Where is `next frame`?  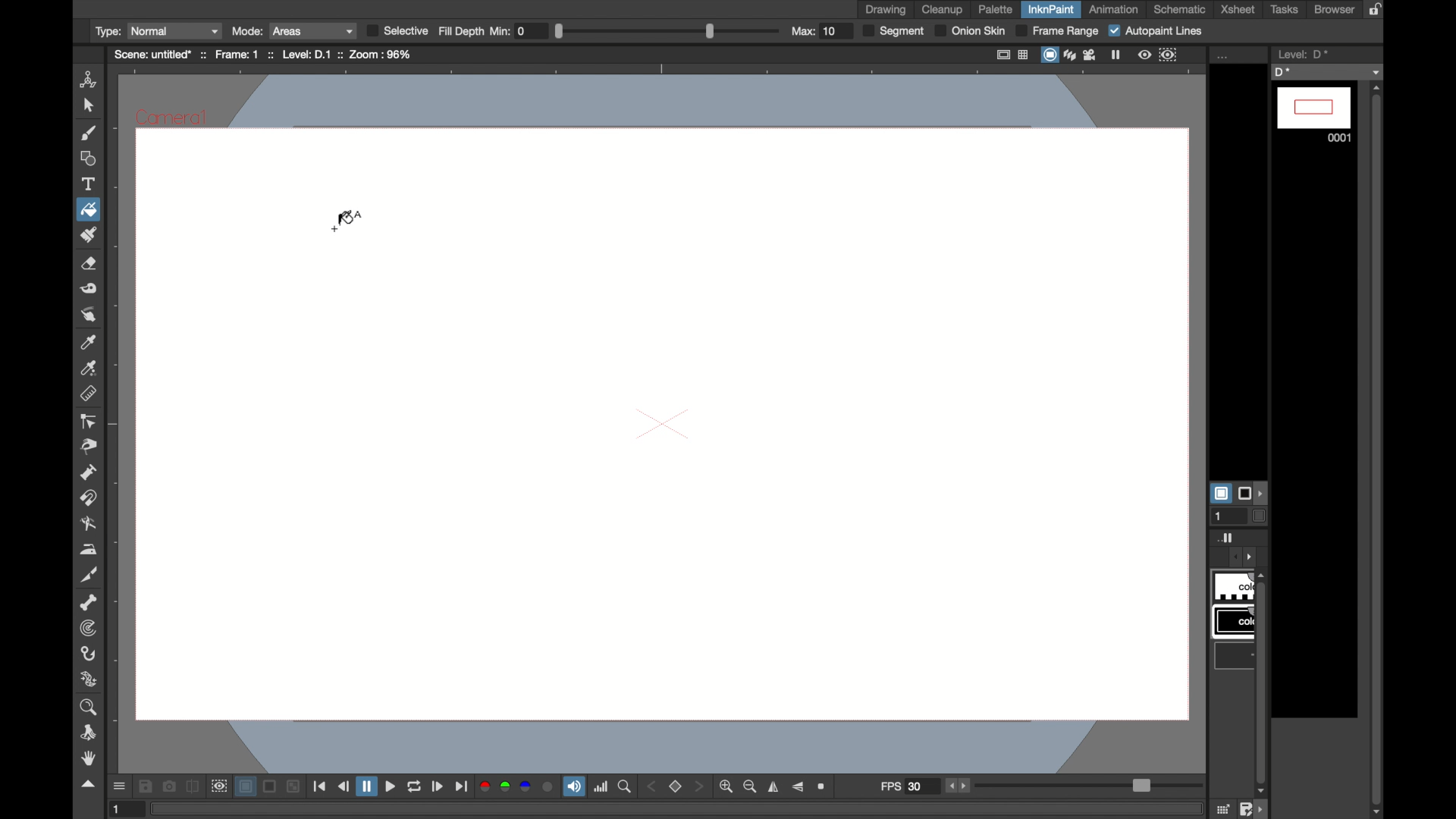 next frame is located at coordinates (438, 786).